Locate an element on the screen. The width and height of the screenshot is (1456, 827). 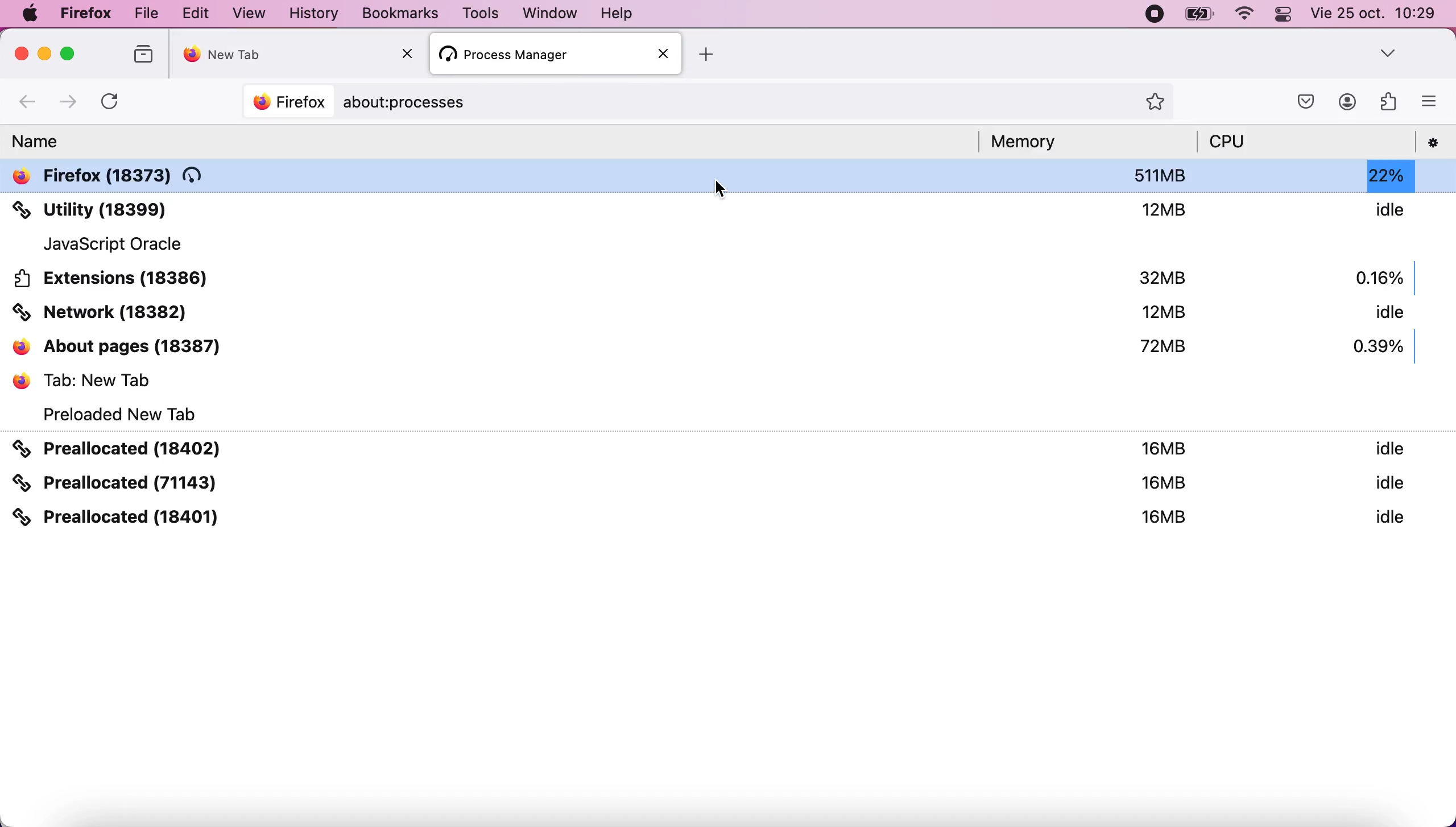
File is located at coordinates (146, 14).